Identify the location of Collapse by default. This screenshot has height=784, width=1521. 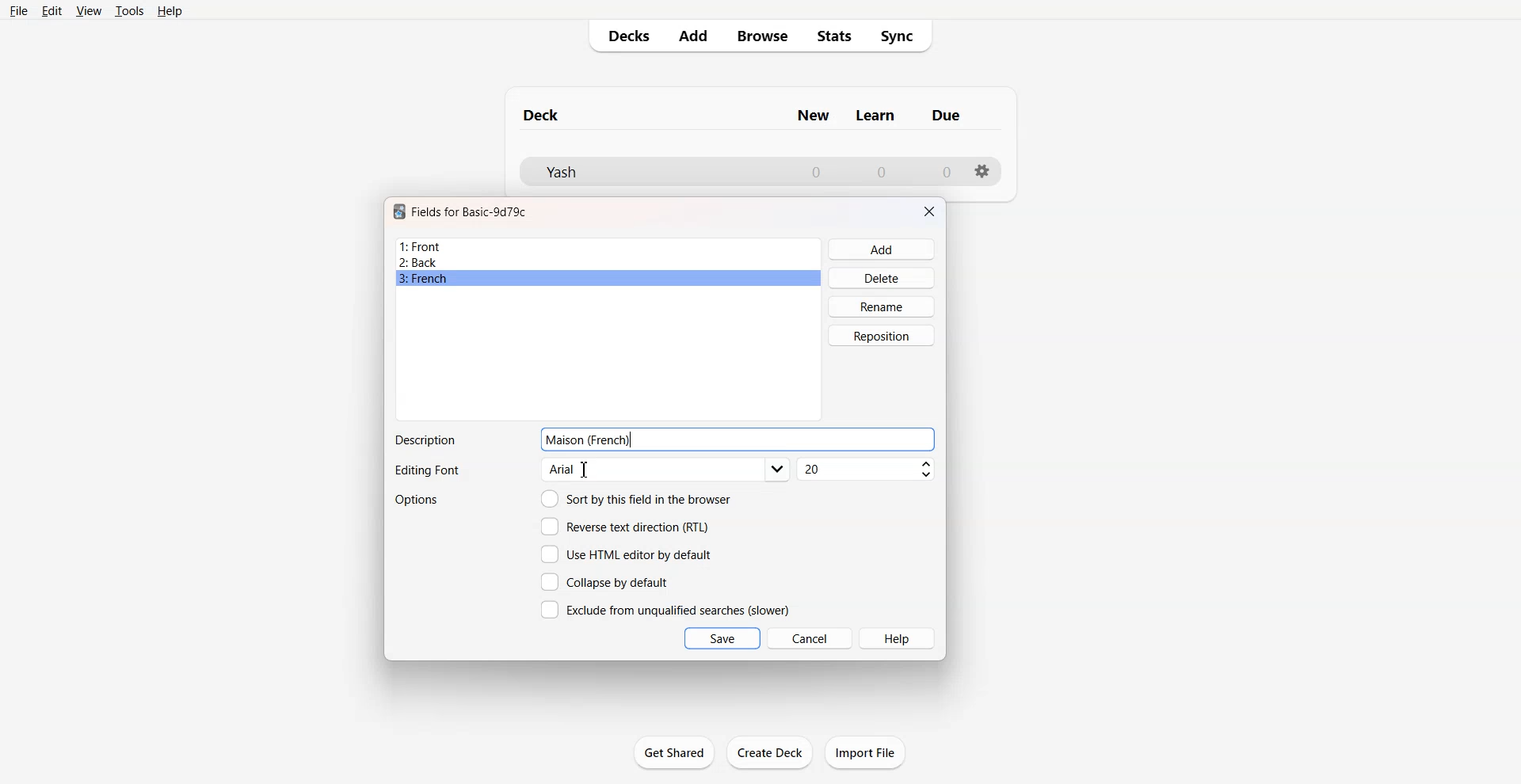
(608, 581).